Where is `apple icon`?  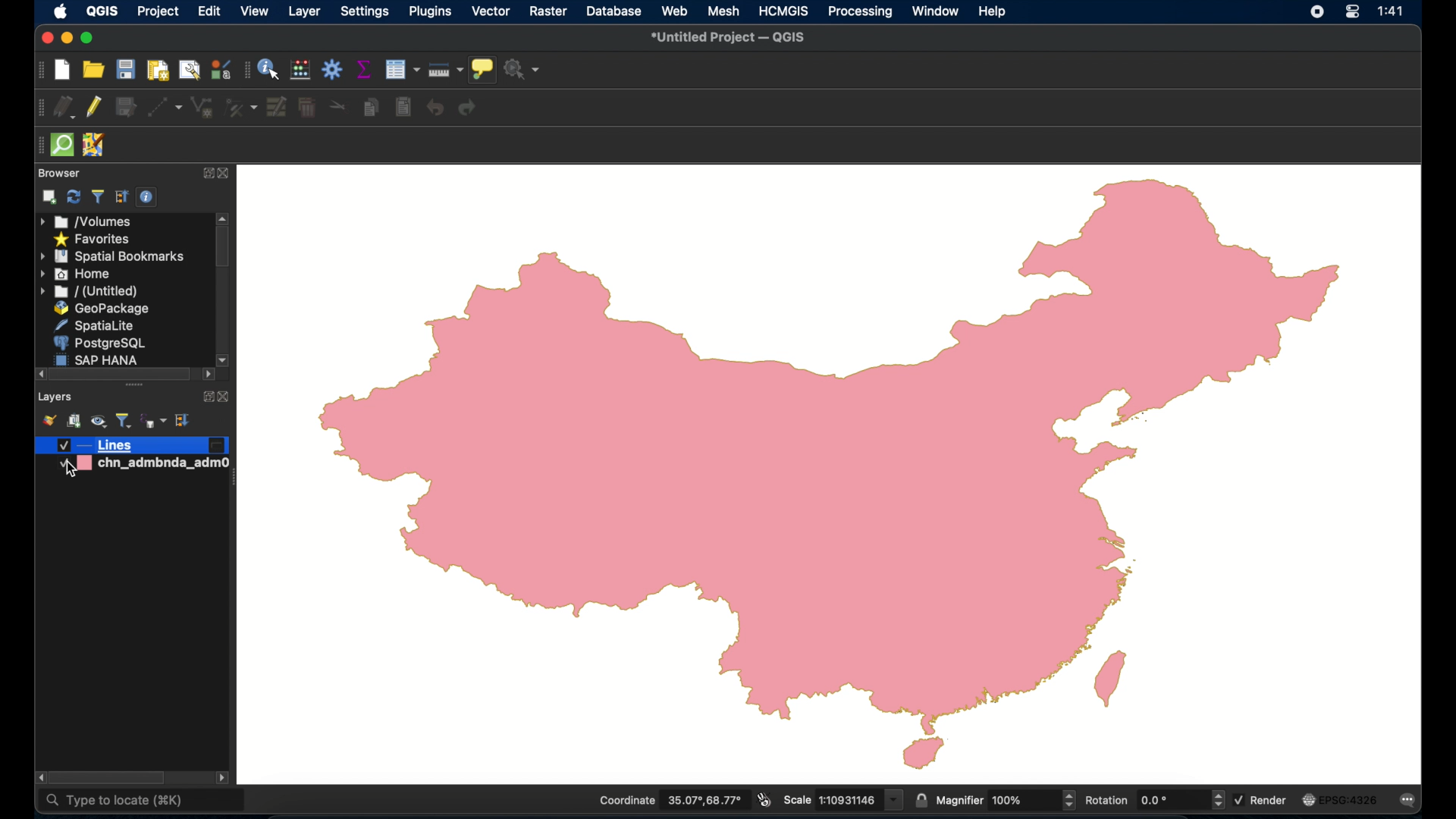 apple icon is located at coordinates (61, 12).